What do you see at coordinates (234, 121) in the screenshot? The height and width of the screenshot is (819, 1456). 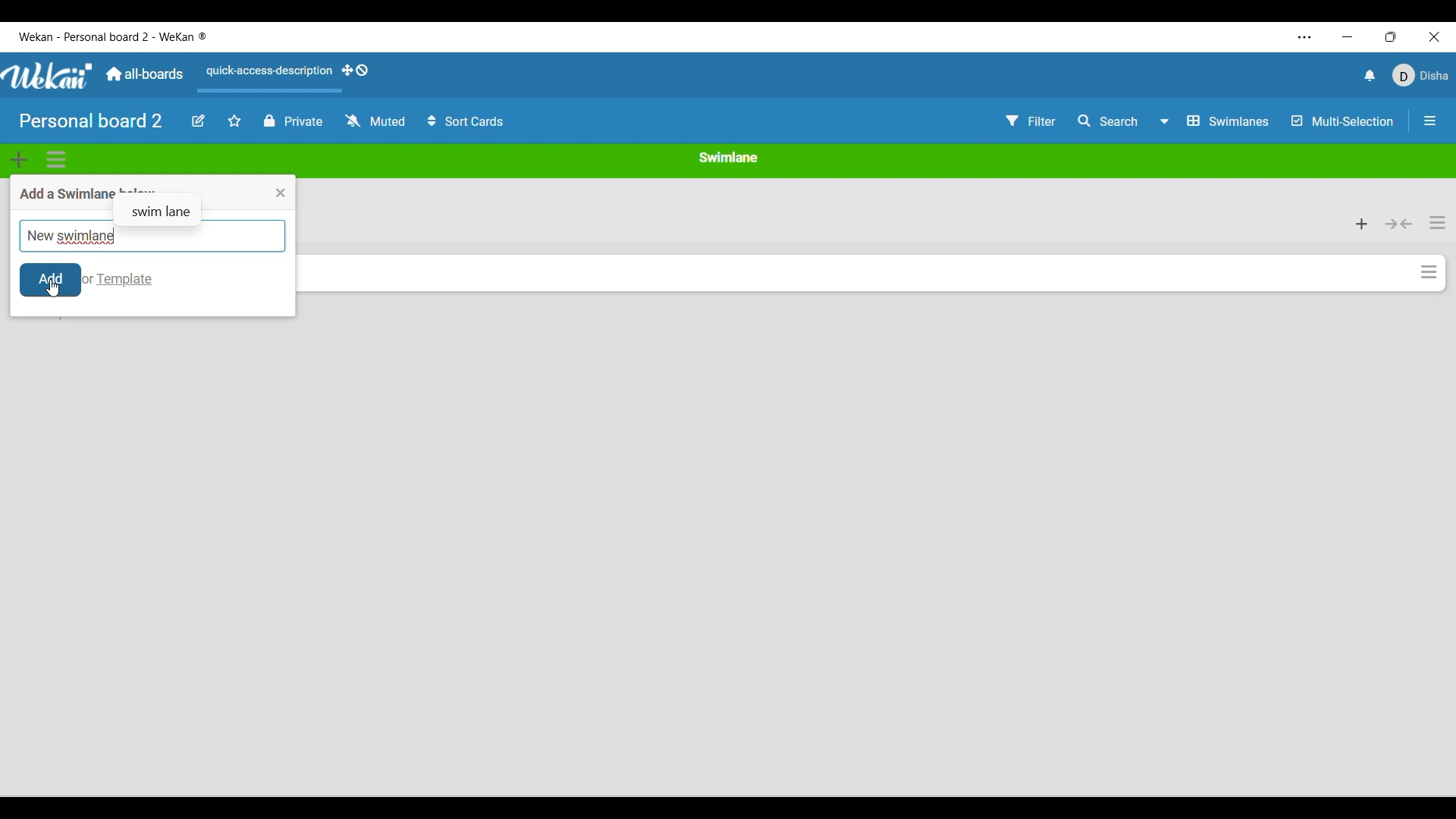 I see `Star board` at bounding box center [234, 121].